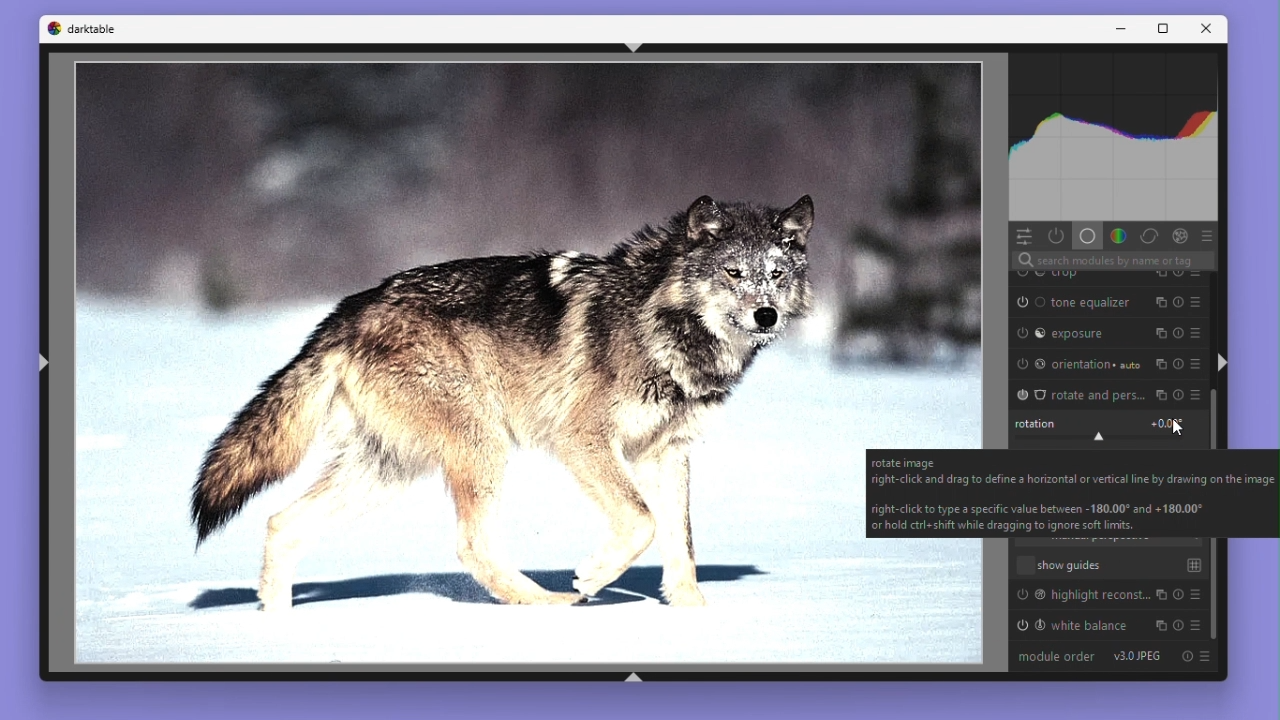 The image size is (1280, 720). Describe the element at coordinates (1107, 595) in the screenshot. I see `` at that location.